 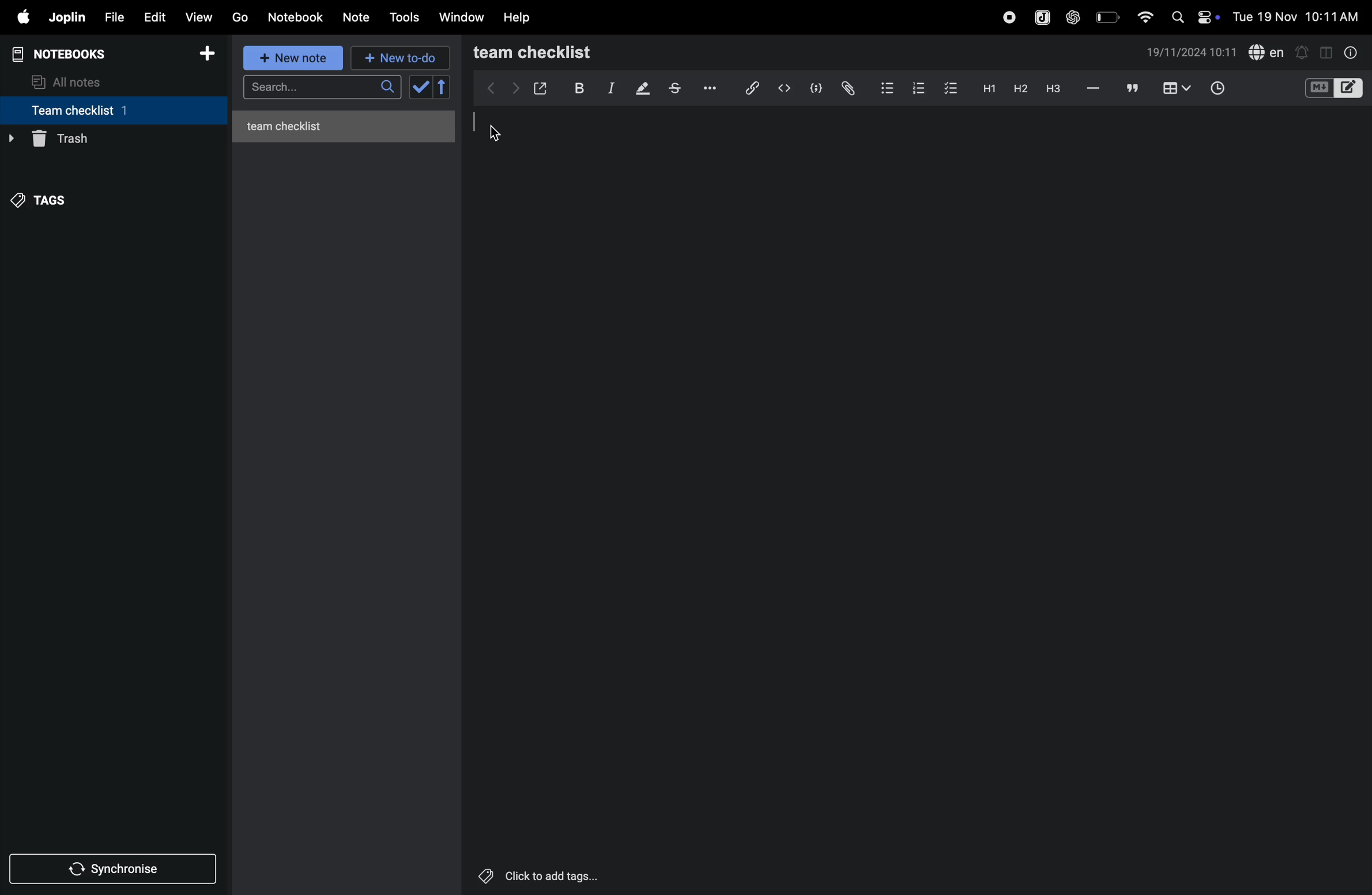 I want to click on options, so click(x=708, y=88).